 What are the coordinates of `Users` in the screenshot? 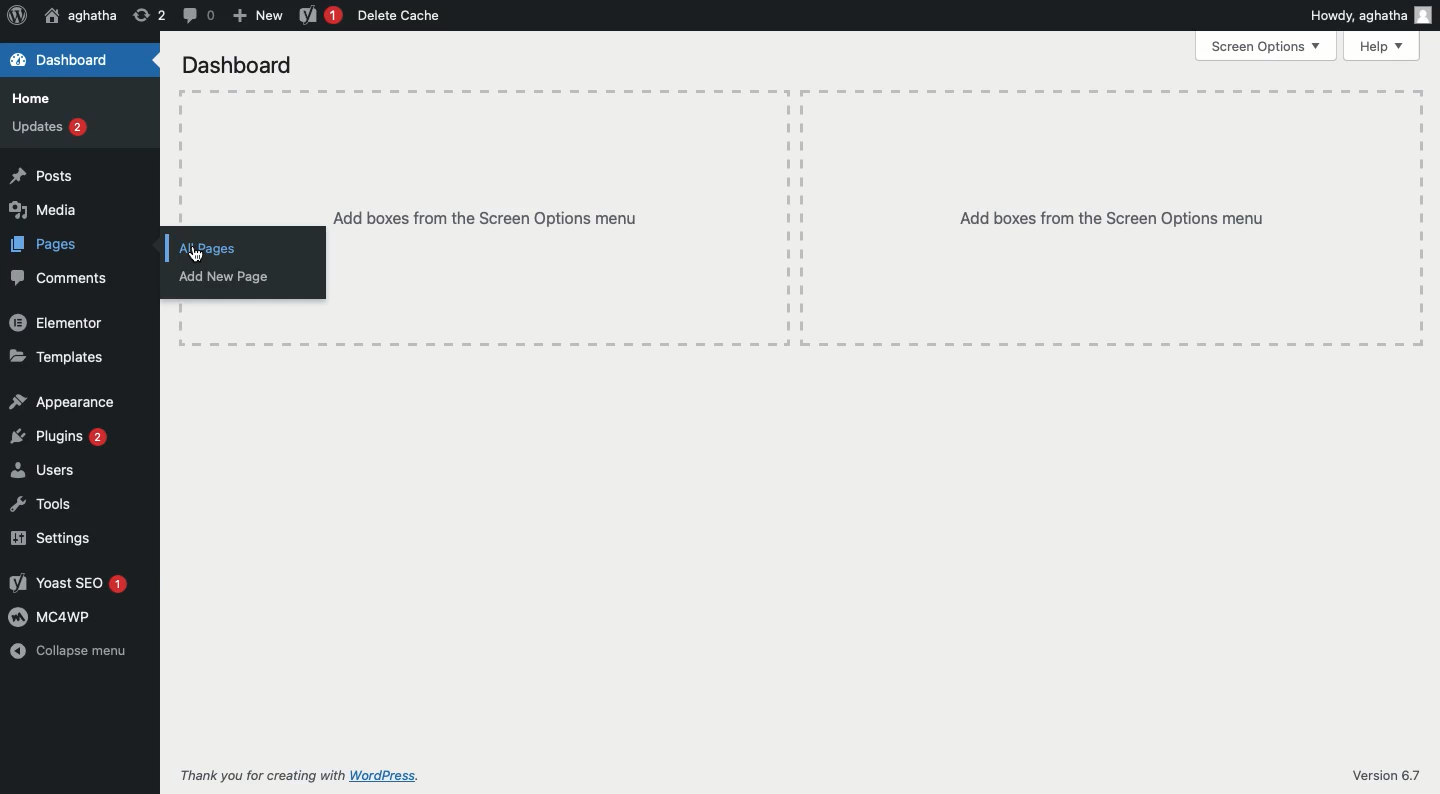 It's located at (65, 470).